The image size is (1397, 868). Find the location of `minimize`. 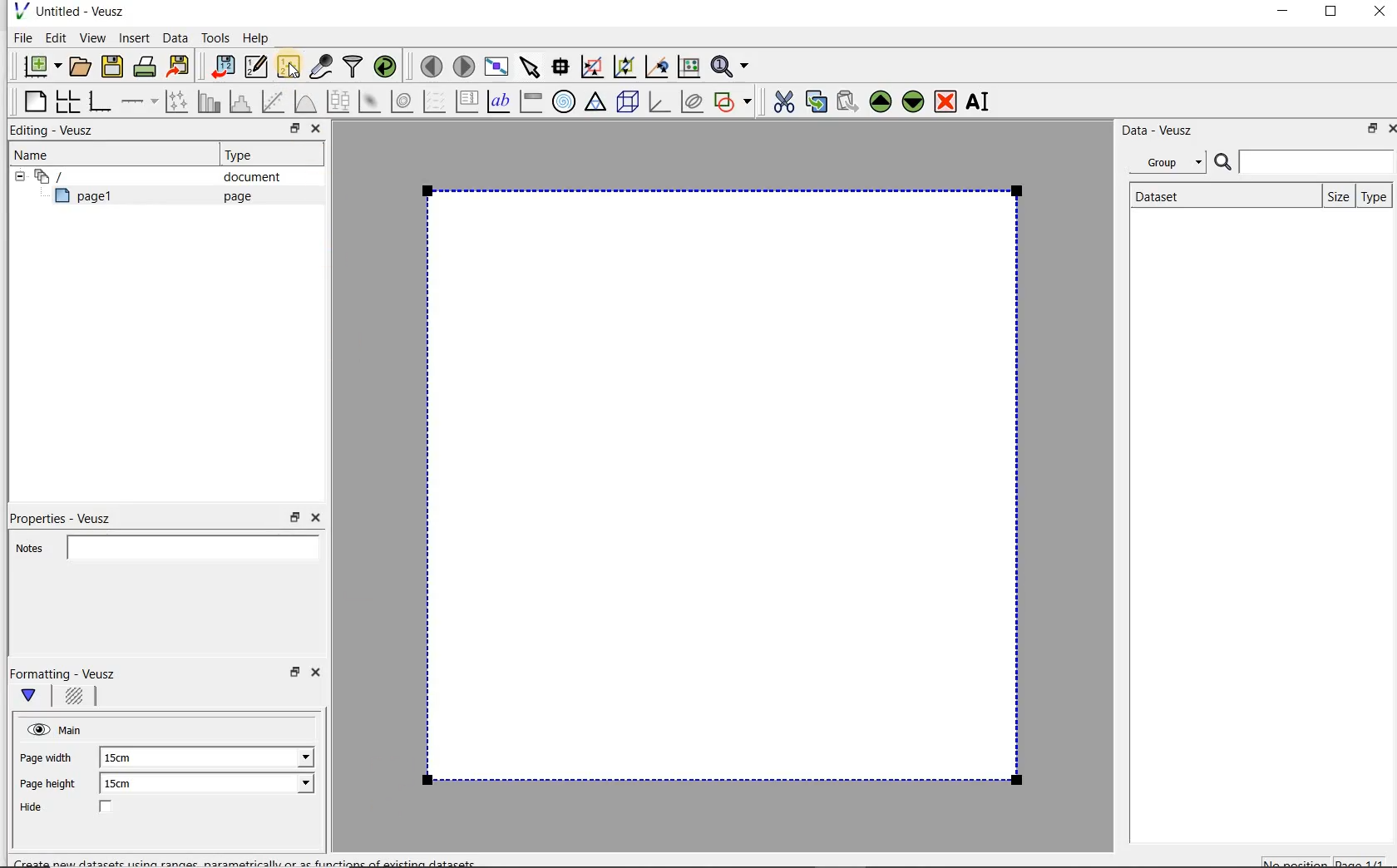

minimize is located at coordinates (1281, 13).